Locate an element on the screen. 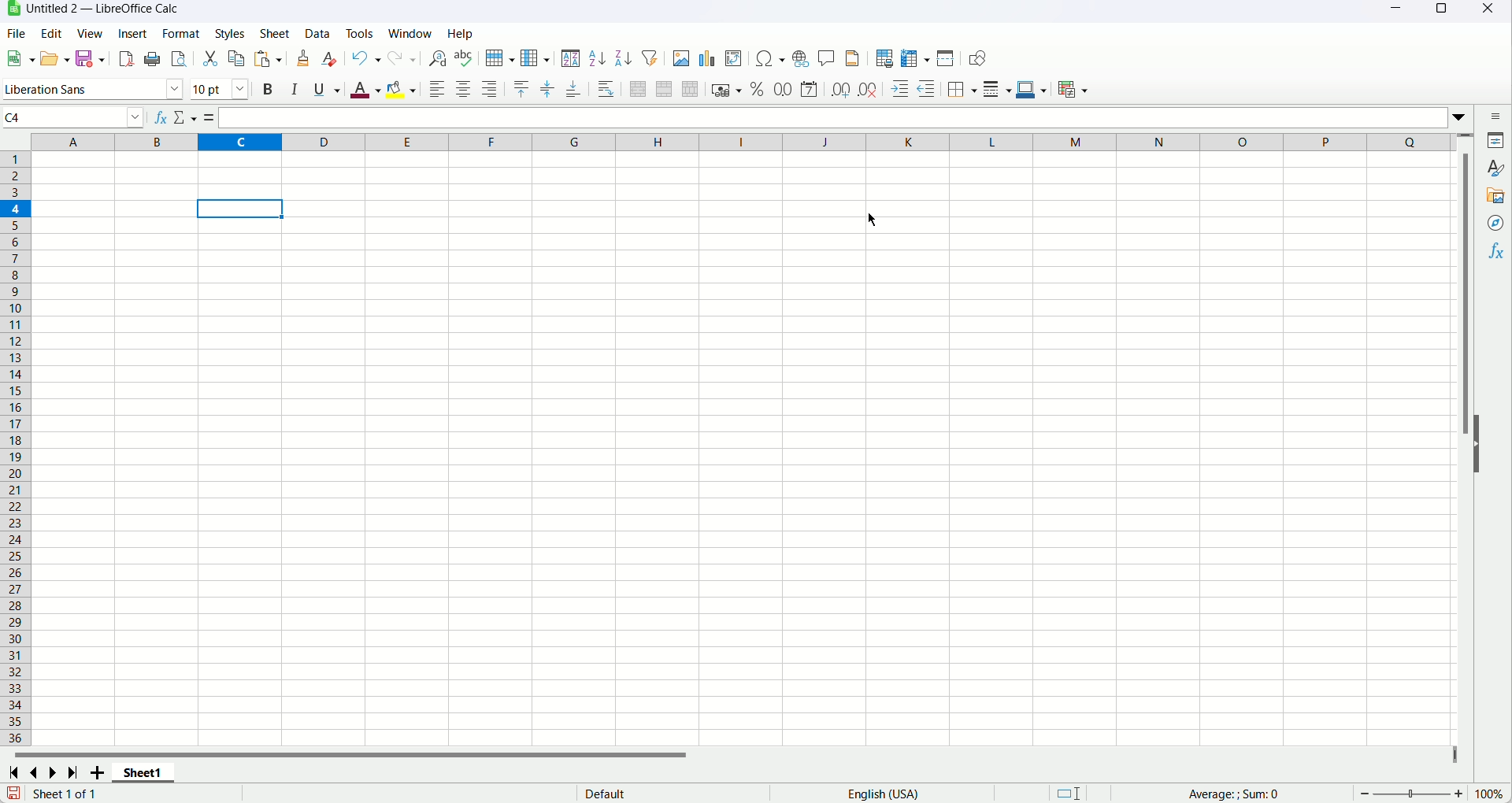 The width and height of the screenshot is (1512, 803). Border color is located at coordinates (1031, 89).